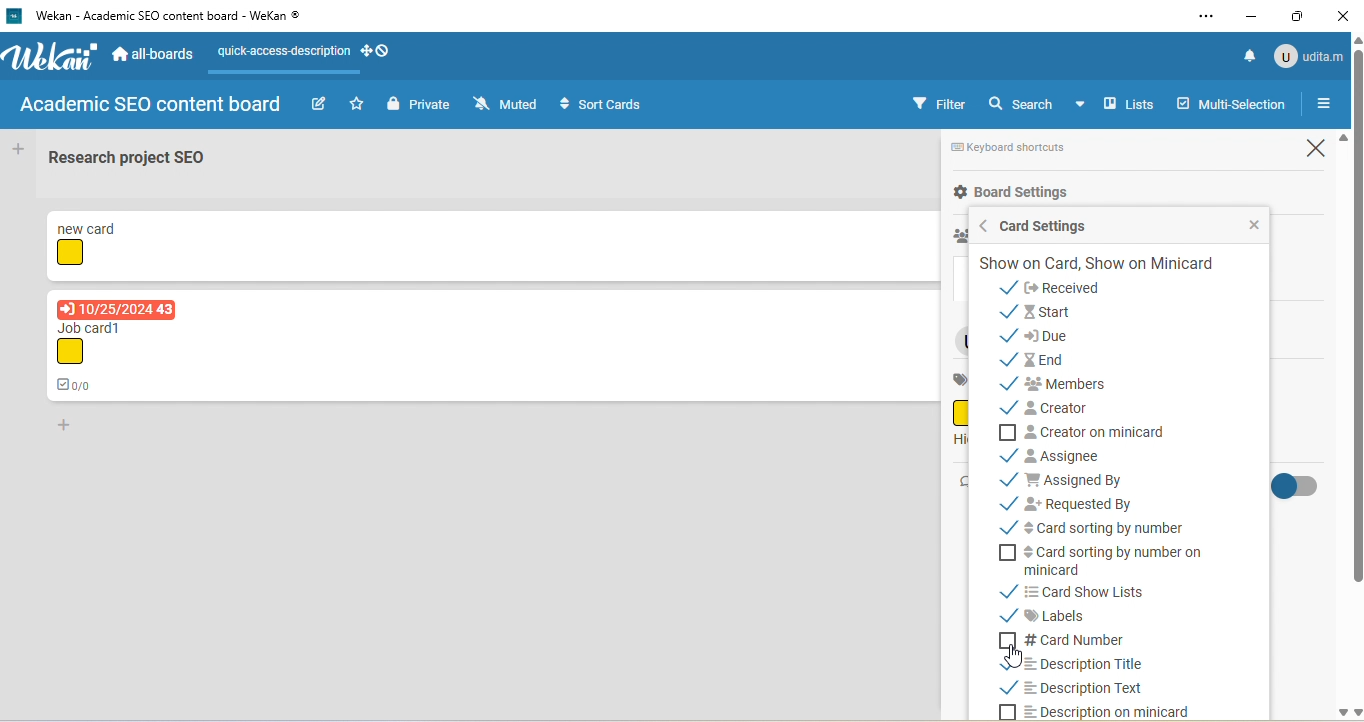 The width and height of the screenshot is (1364, 722). I want to click on muted, so click(505, 103).